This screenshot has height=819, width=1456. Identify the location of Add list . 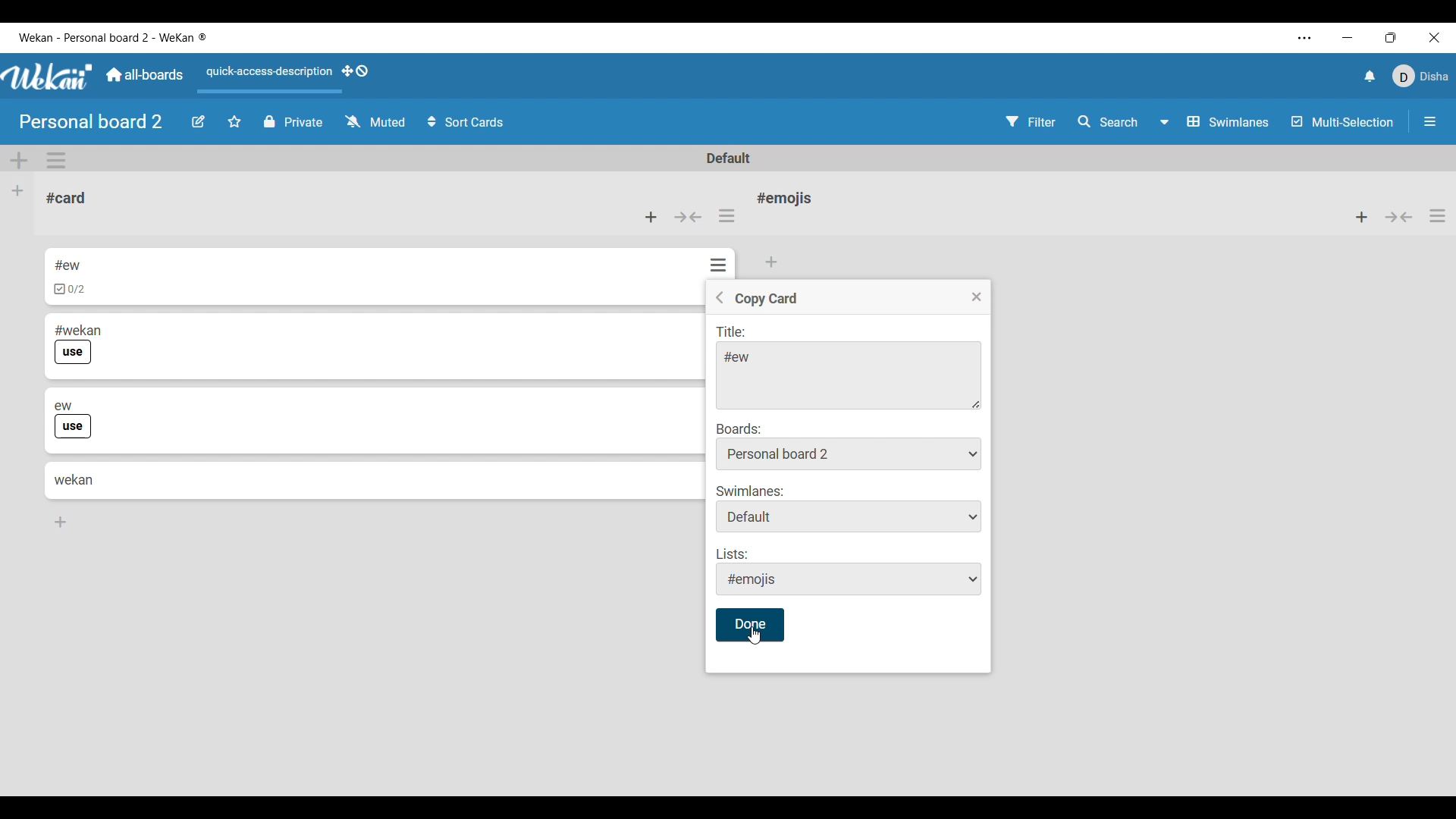
(18, 192).